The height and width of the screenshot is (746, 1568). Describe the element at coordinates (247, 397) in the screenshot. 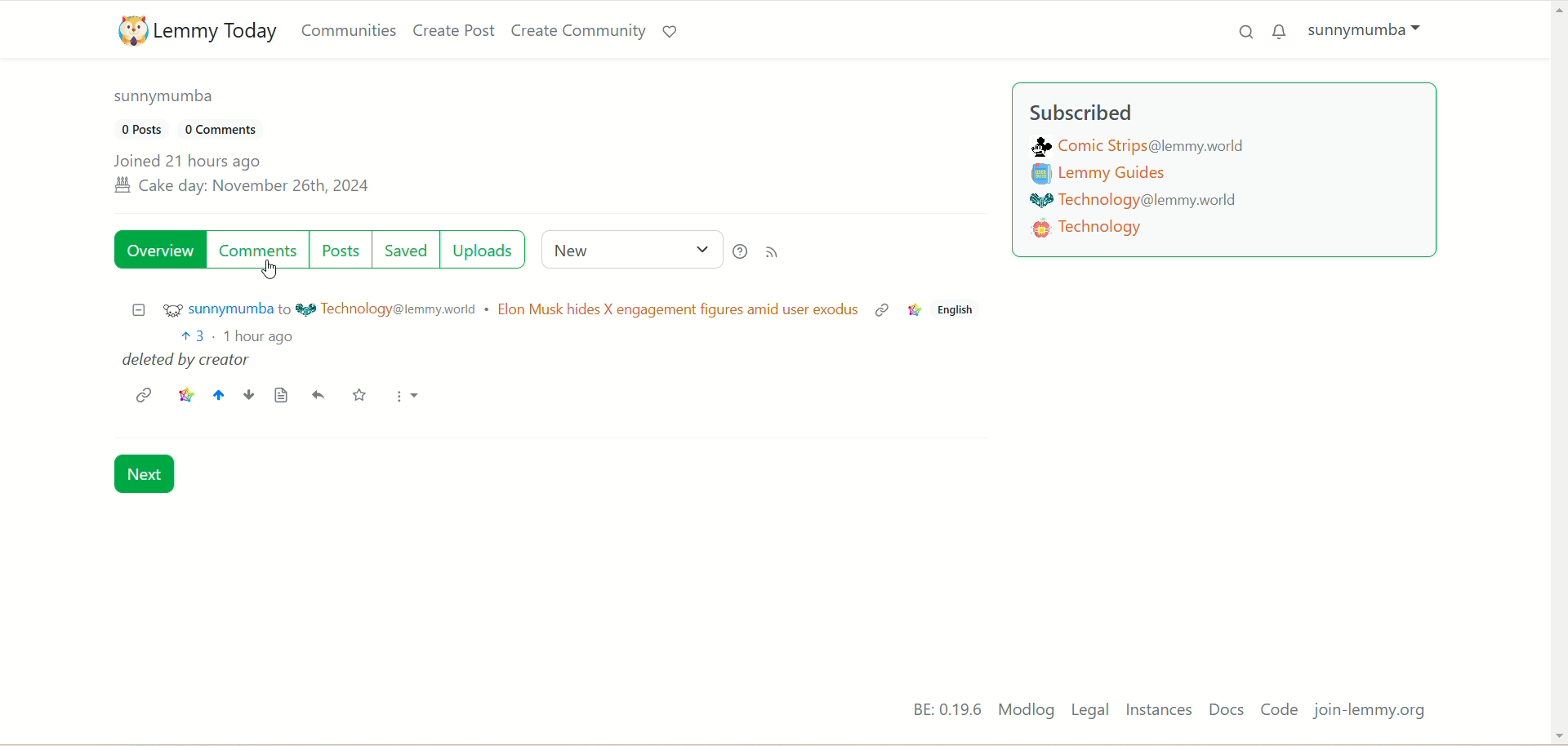

I see `downtime` at that location.